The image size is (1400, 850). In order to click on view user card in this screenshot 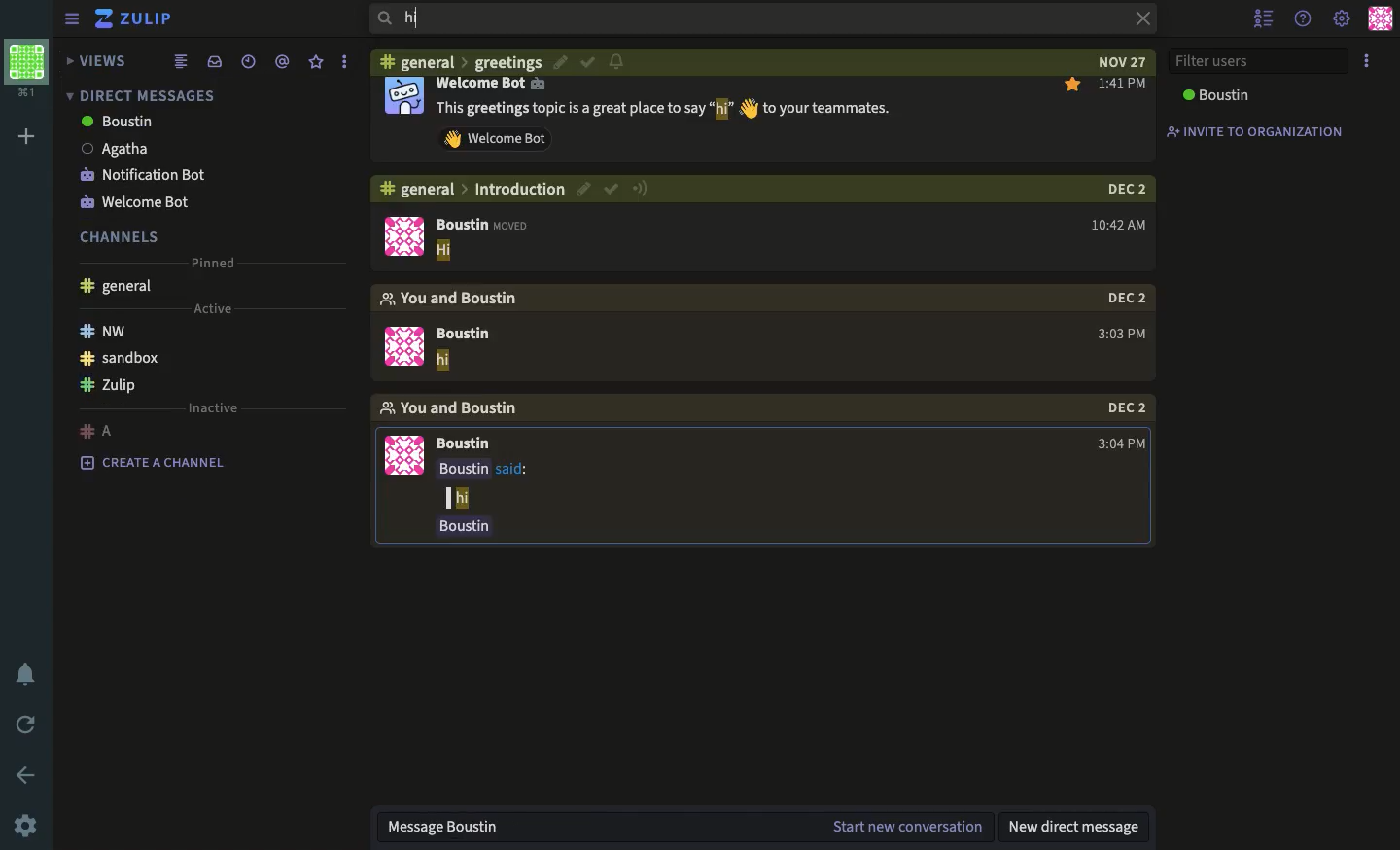, I will do `click(403, 237)`.